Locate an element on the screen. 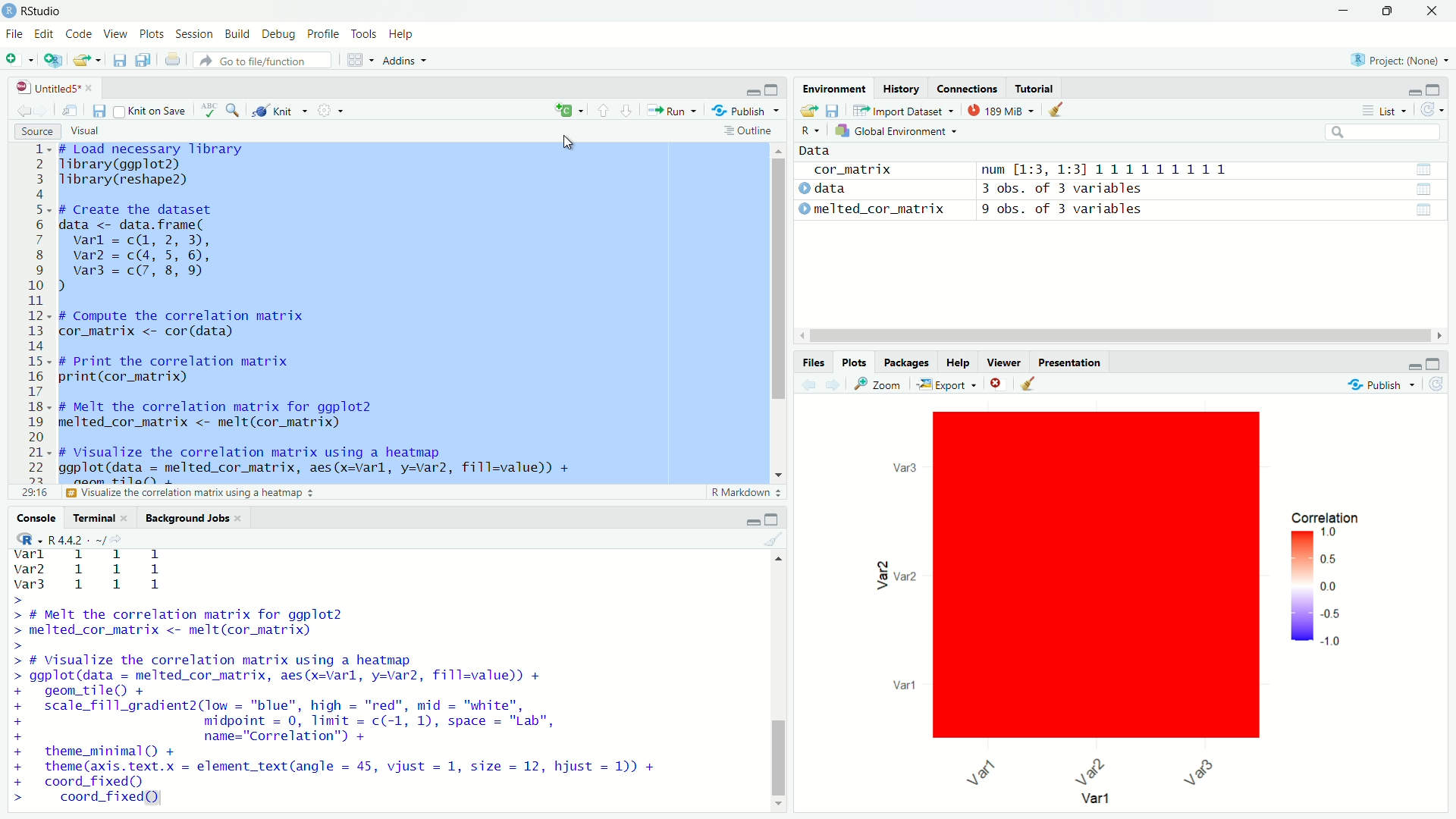 This screenshot has width=1456, height=819. refresh is located at coordinates (1433, 111).